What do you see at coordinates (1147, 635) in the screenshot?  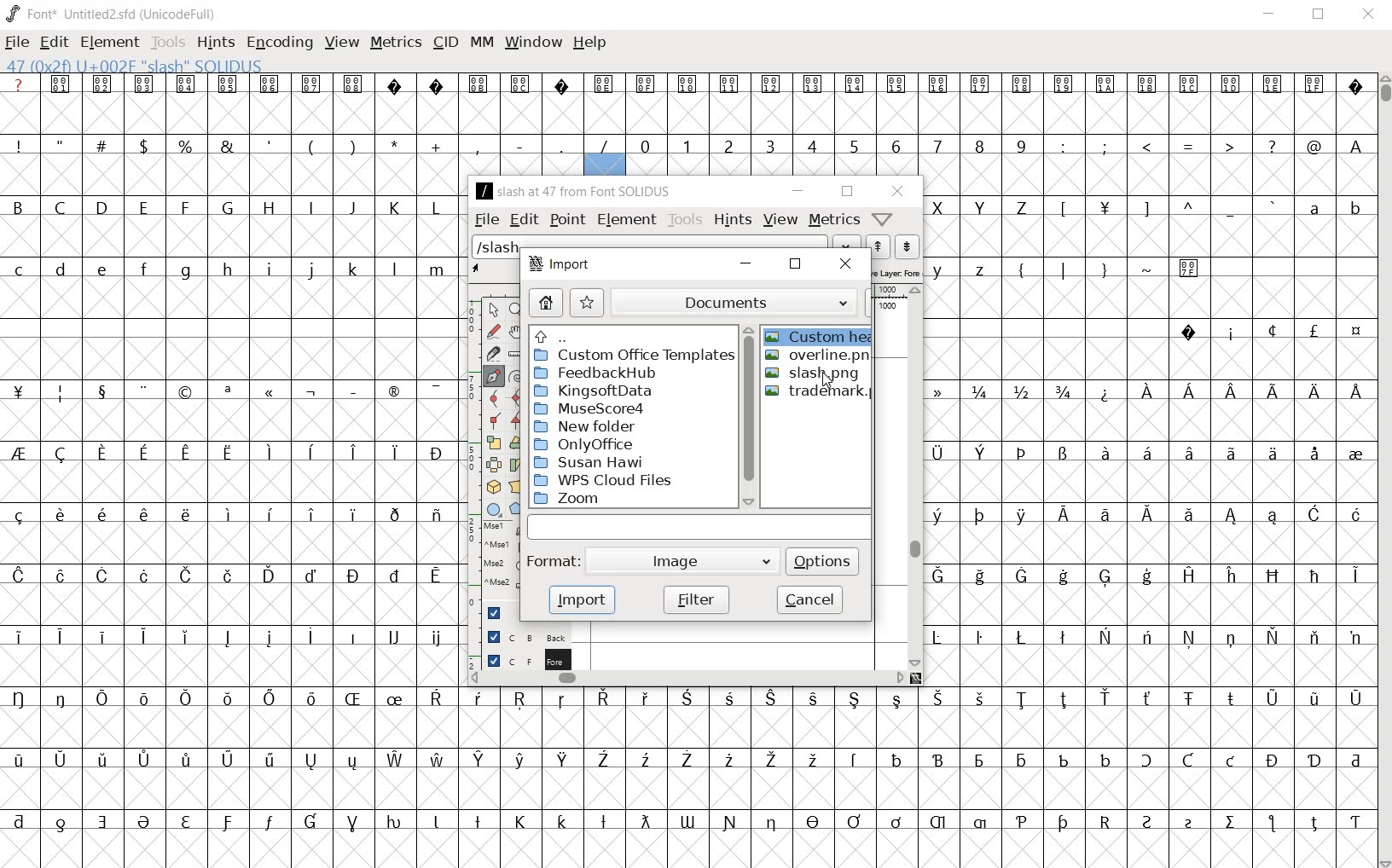 I see `special letters` at bounding box center [1147, 635].